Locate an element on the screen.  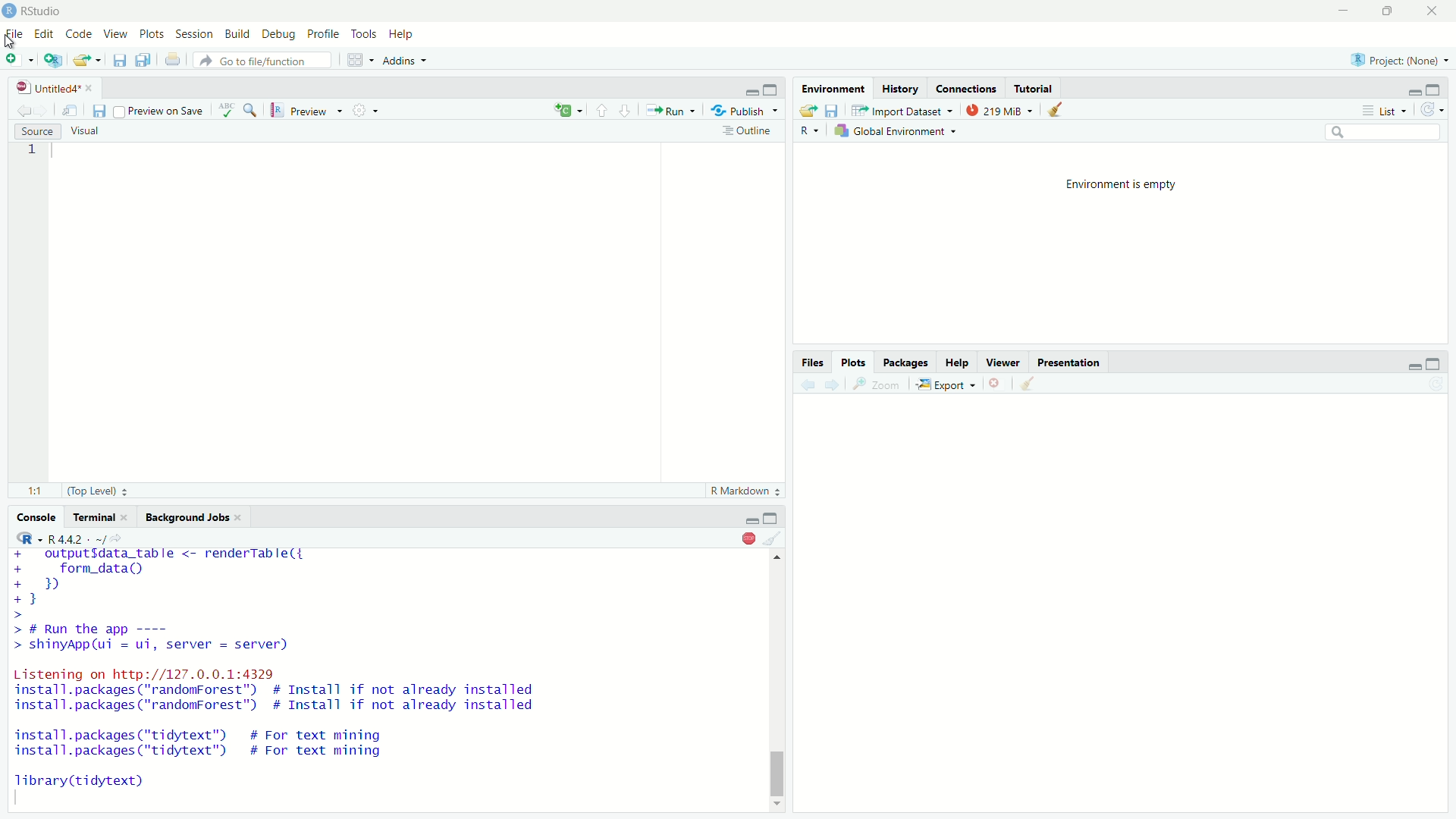
code - output data_table <- renderTable({ + }) +} + form_data() > # Run the app > shinyApp(ui = ui, server = server) Listening on http://127.0.0.1:4329 install.packages("random Forest") # Install if not already installed install.packages("random Forest") # Install if not already installed install.packages("tidytext") # For text mining install.packages("tidytext") # For text mining library(tidytext) is located at coordinates (297, 673).